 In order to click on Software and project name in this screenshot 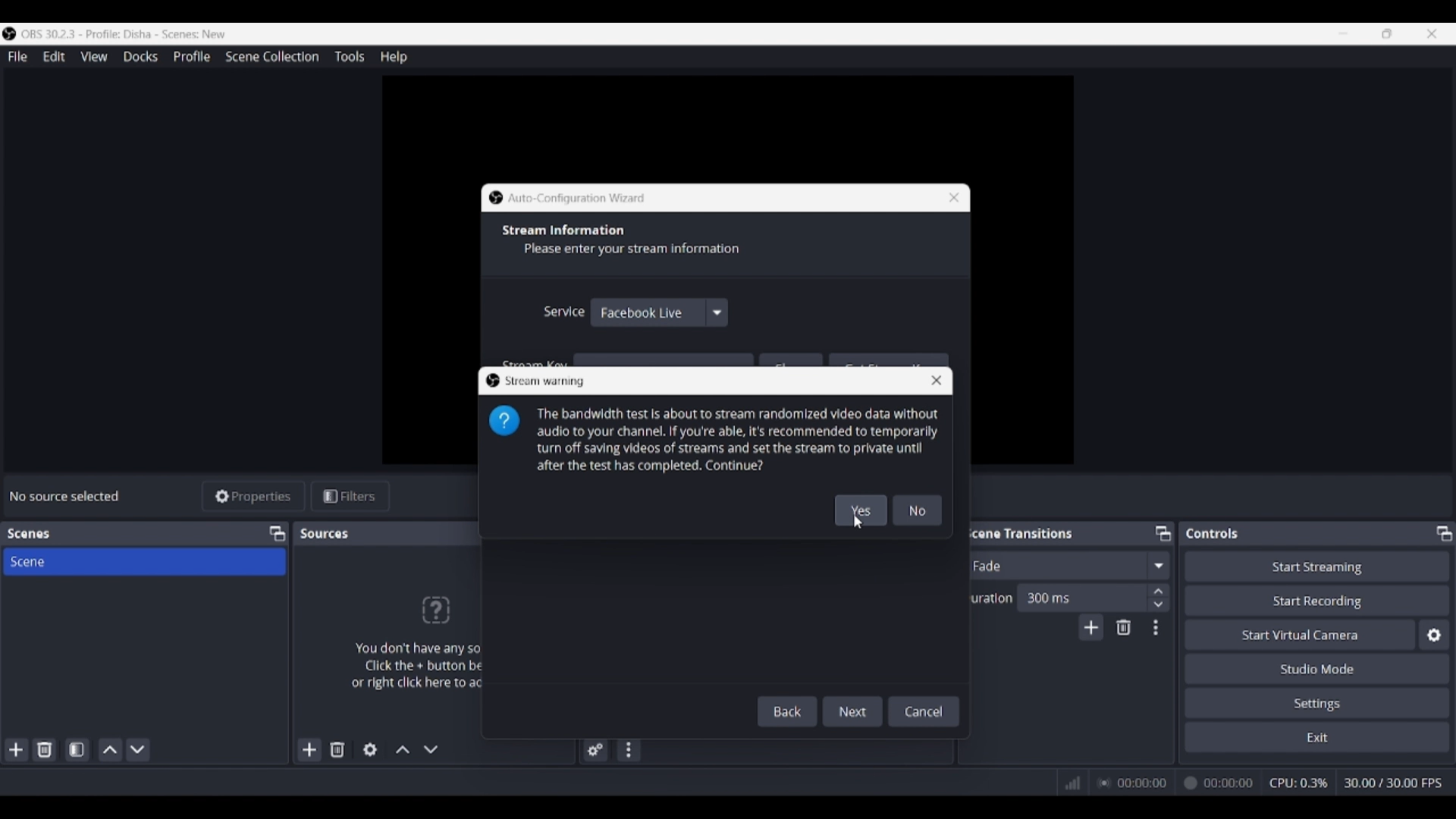, I will do `click(130, 34)`.